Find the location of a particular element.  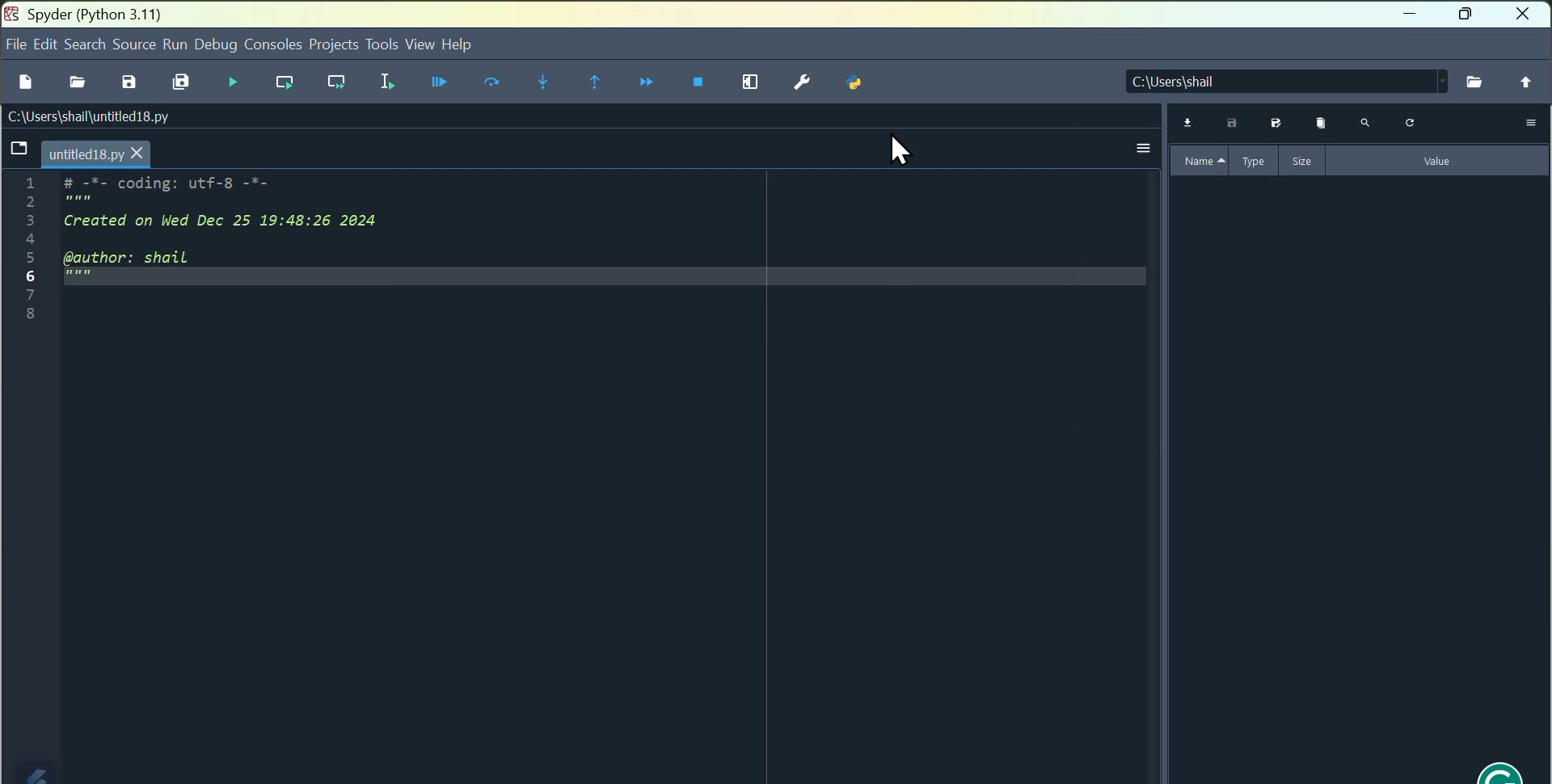

browse directory is located at coordinates (1477, 81).